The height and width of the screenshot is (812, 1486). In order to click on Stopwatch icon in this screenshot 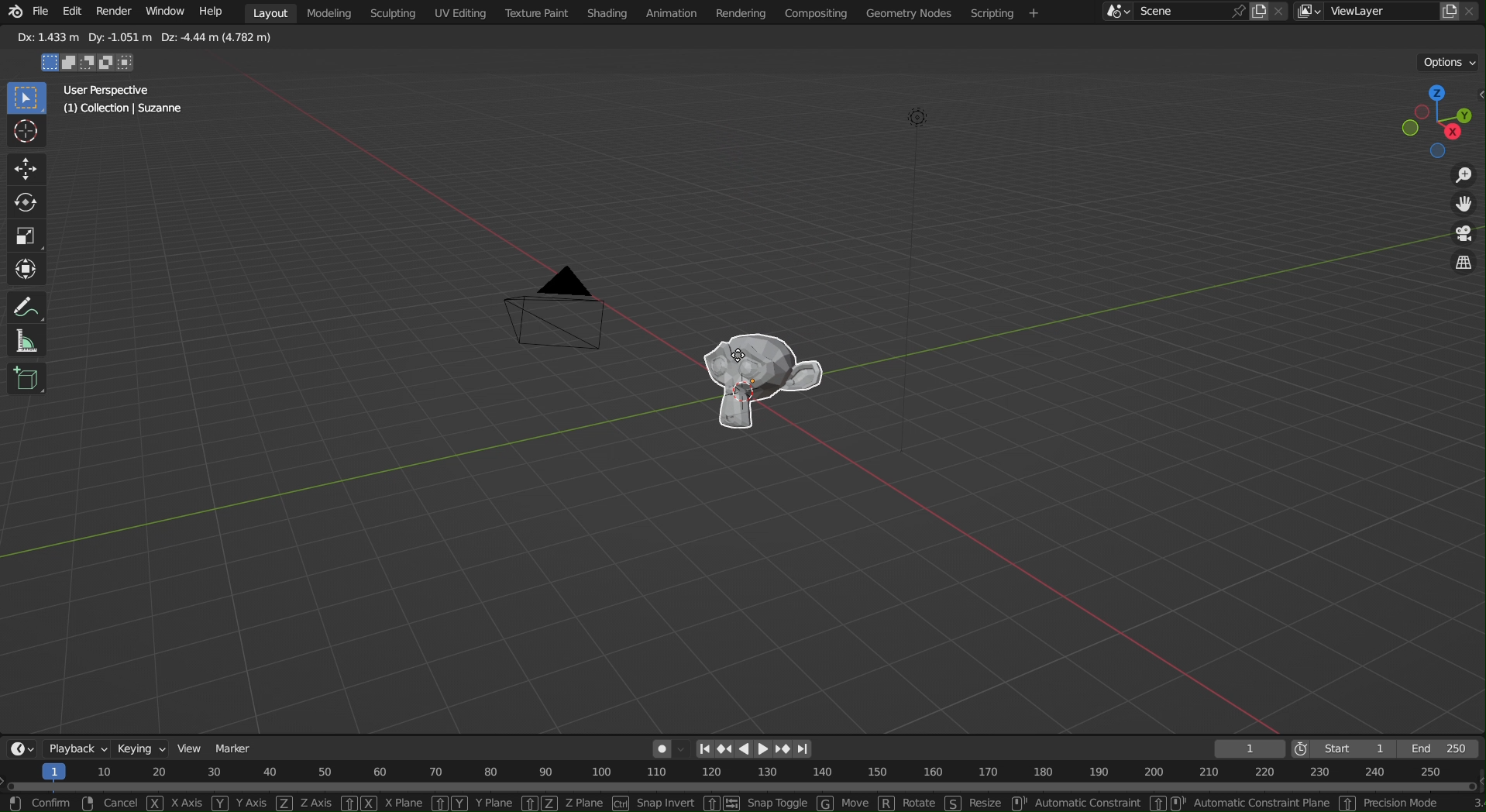, I will do `click(1302, 748)`.